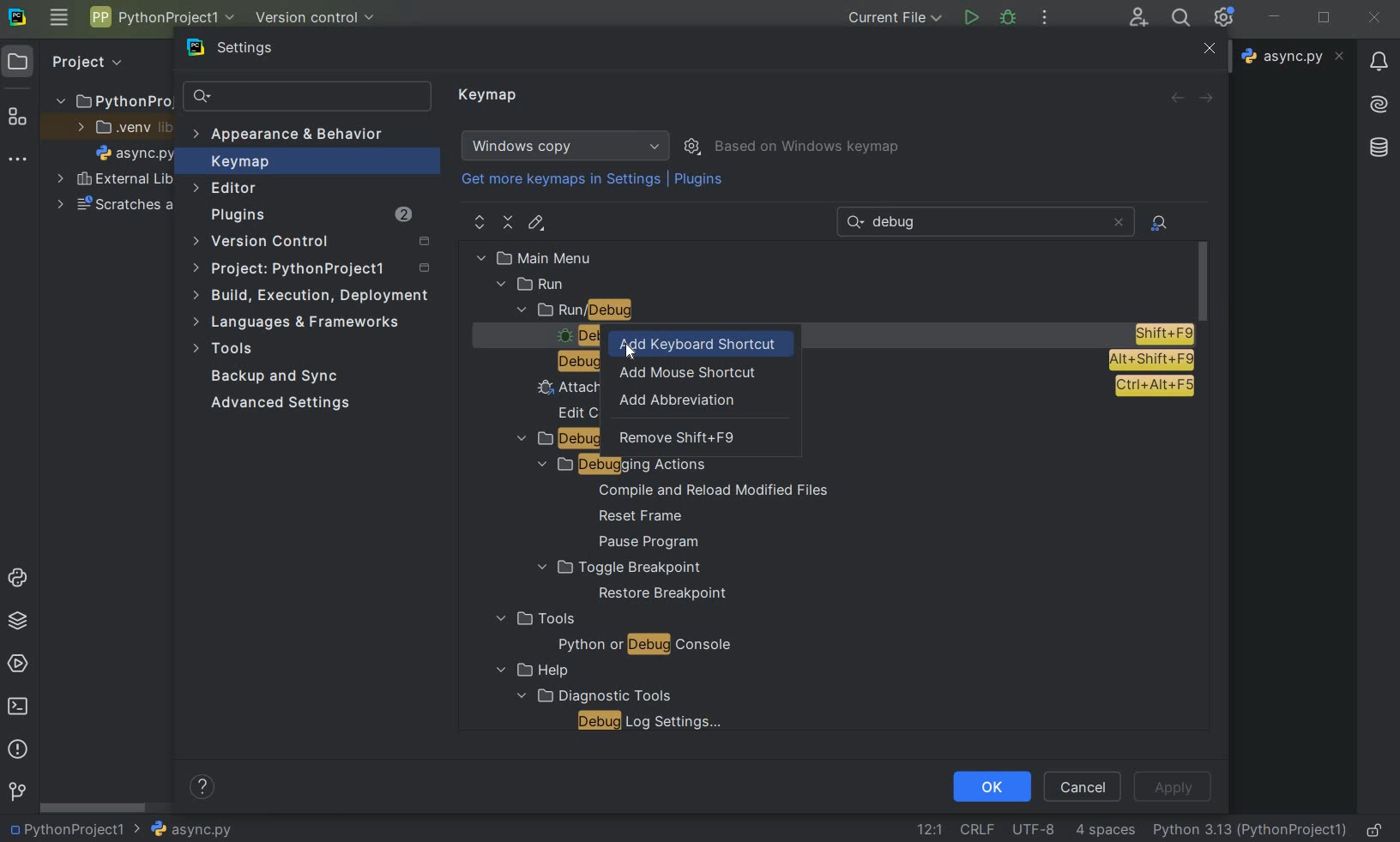 The width and height of the screenshot is (1400, 842). Describe the element at coordinates (1275, 16) in the screenshot. I see `minimize` at that location.